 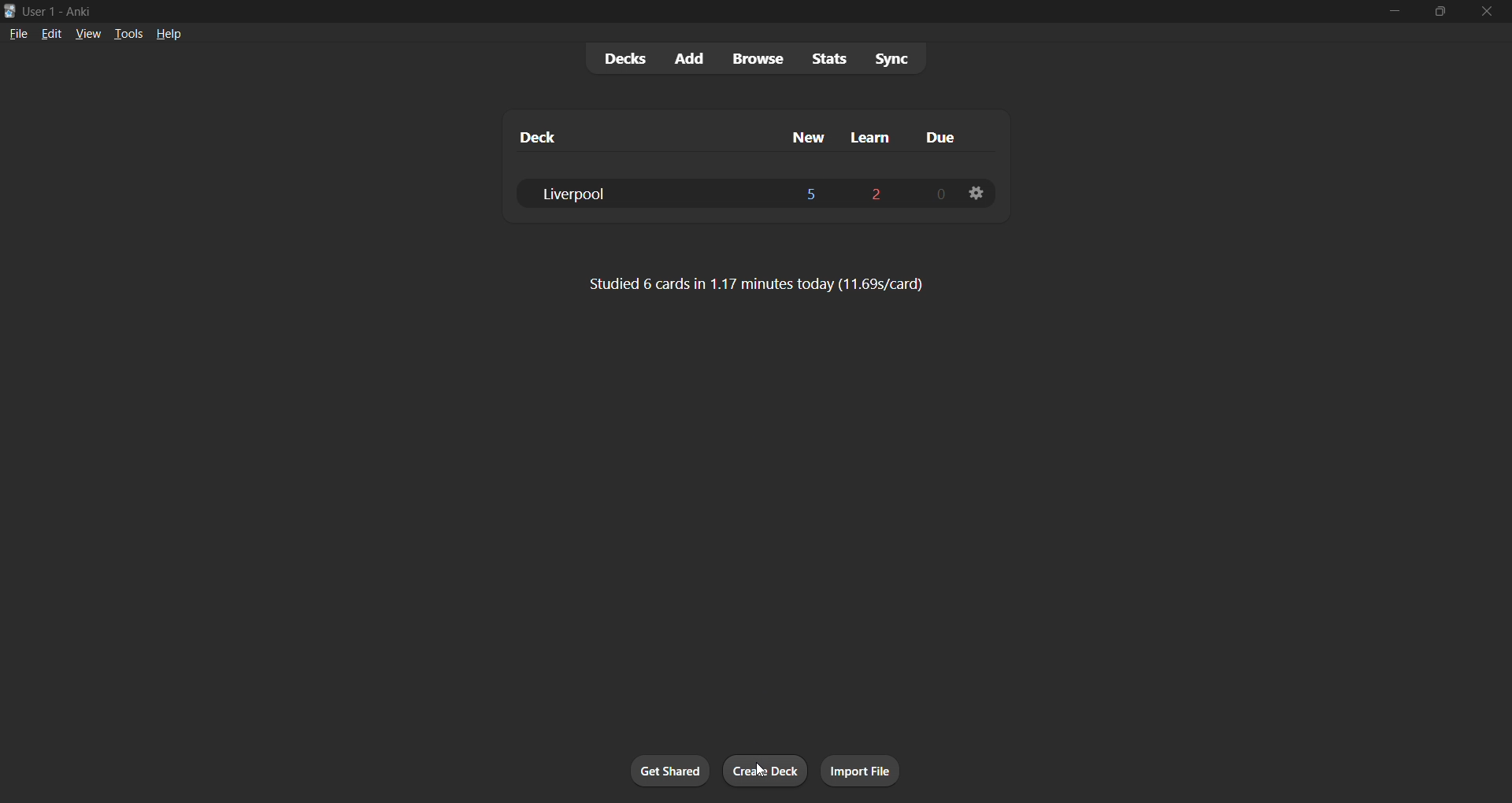 What do you see at coordinates (618, 61) in the screenshot?
I see `decks` at bounding box center [618, 61].